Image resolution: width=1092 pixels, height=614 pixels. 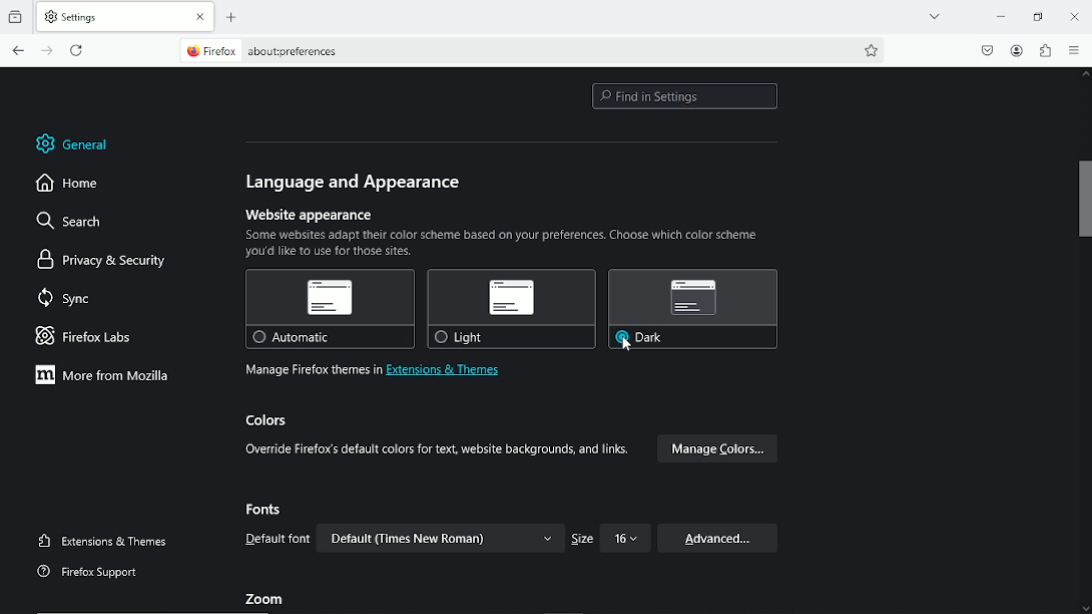 What do you see at coordinates (15, 17) in the screenshot?
I see `View recent browsing` at bounding box center [15, 17].